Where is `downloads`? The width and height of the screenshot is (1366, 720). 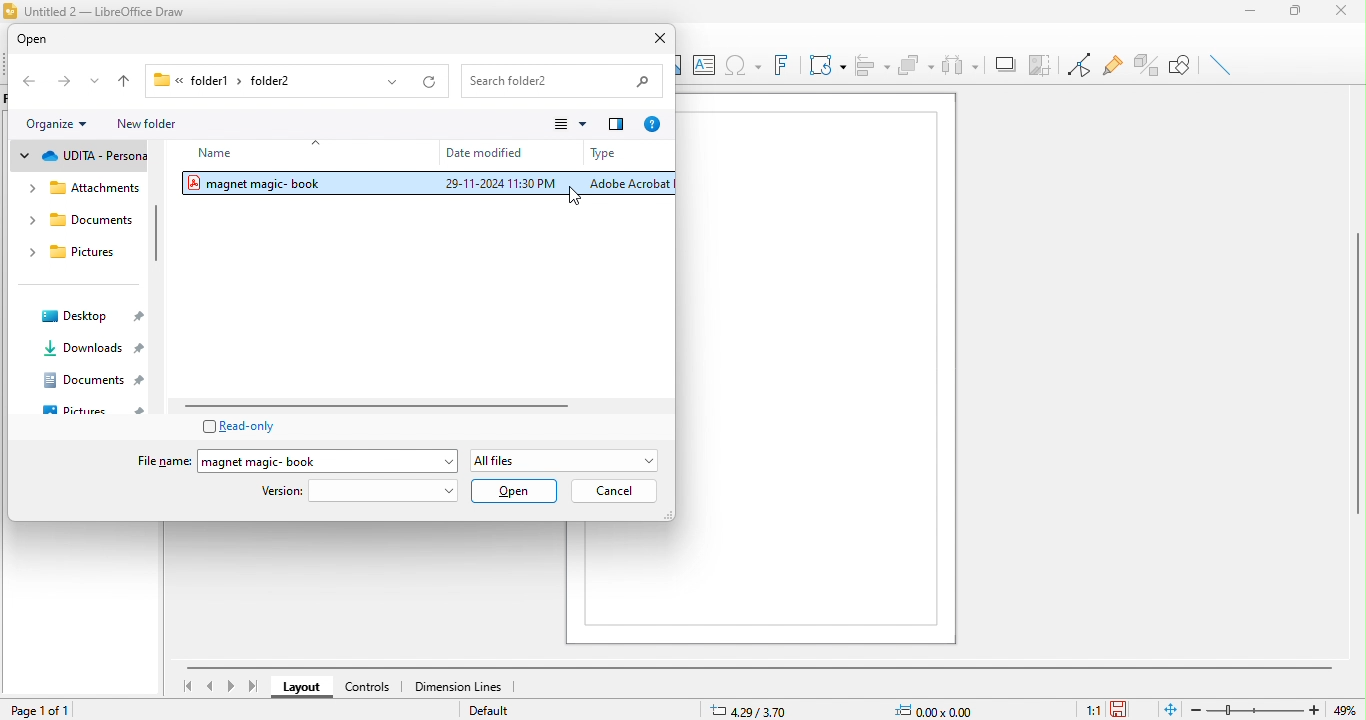
downloads is located at coordinates (90, 347).